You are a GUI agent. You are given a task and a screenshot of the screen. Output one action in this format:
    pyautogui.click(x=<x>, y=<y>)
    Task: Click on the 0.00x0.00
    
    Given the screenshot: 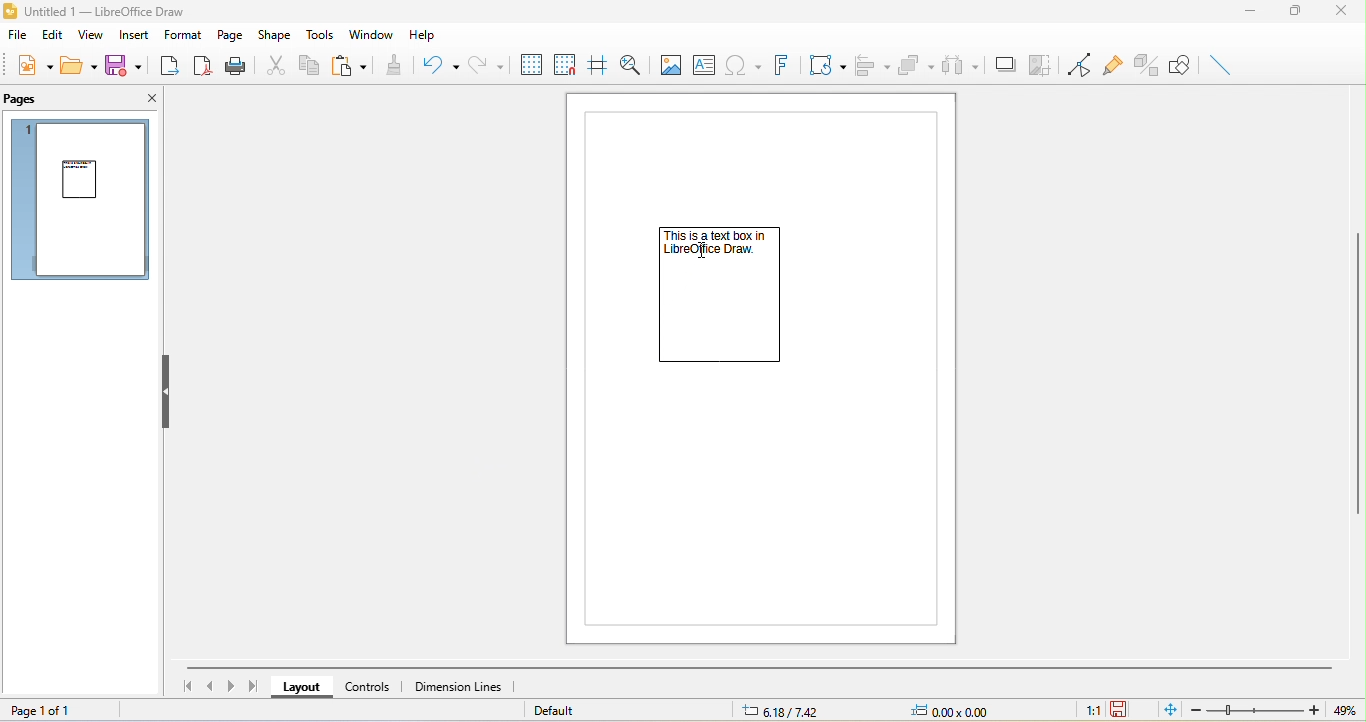 What is the action you would take?
    pyautogui.click(x=961, y=711)
    